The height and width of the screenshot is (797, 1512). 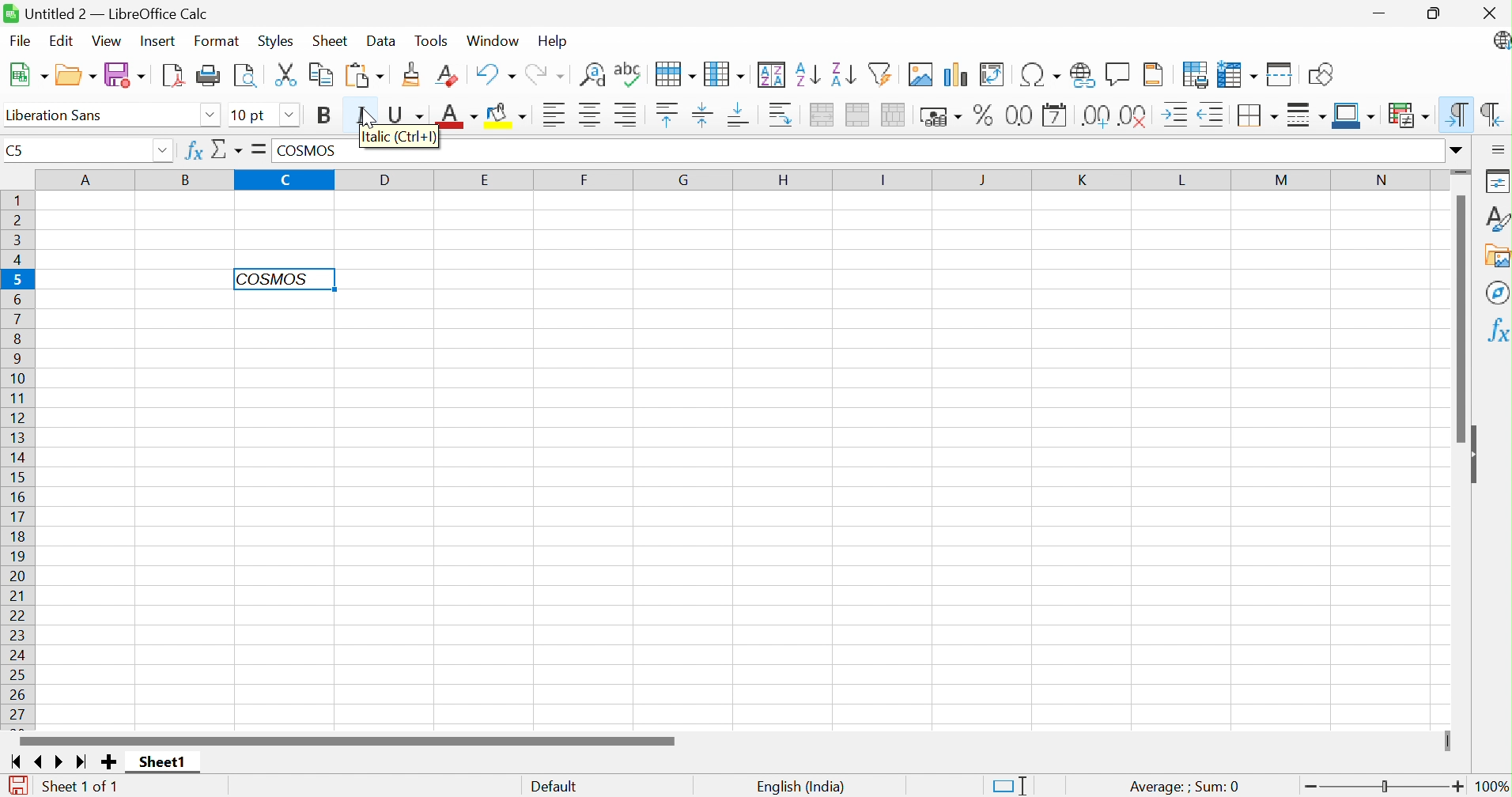 I want to click on Decrease indent, so click(x=1210, y=115).